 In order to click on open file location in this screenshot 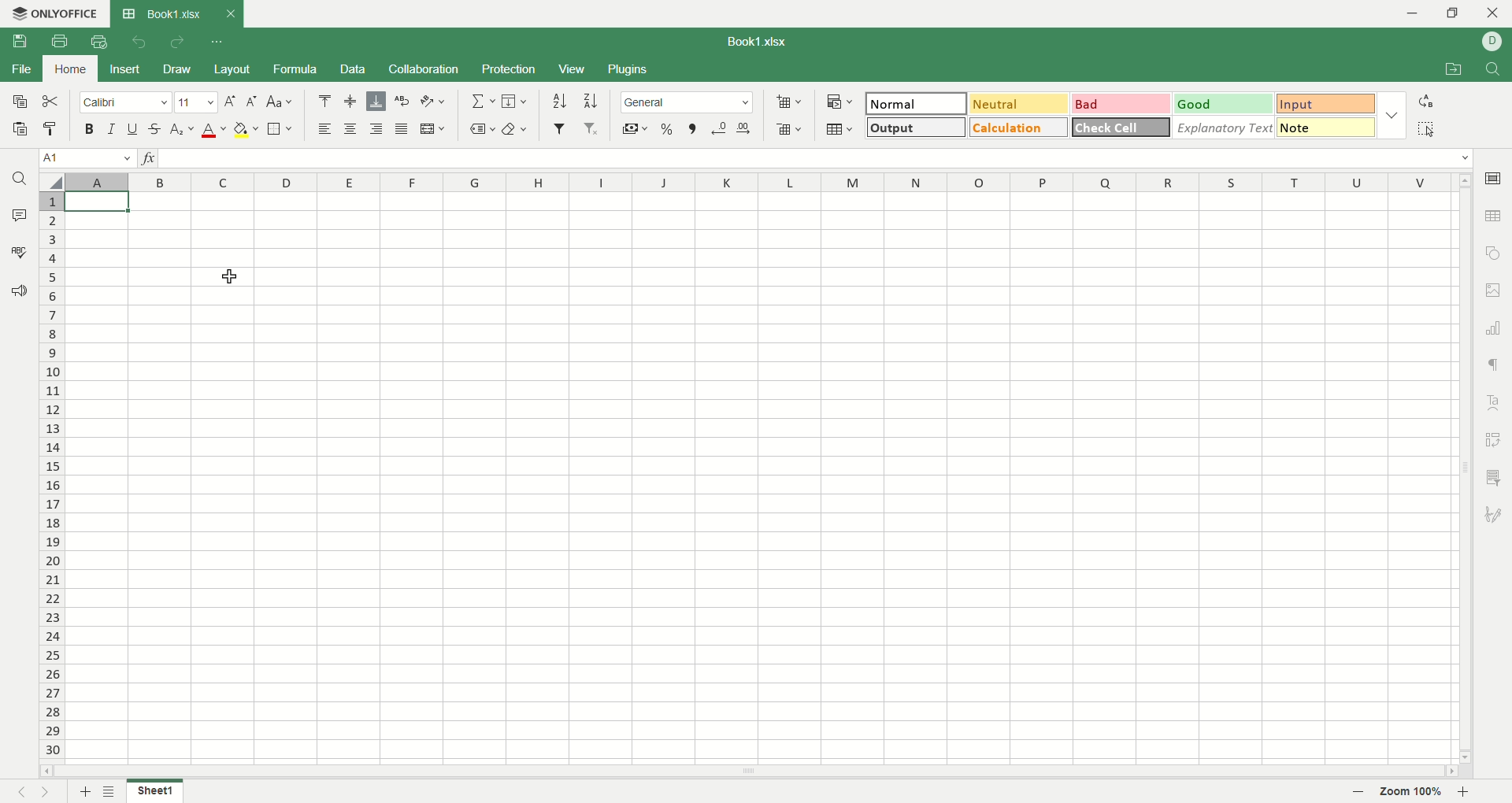, I will do `click(1450, 71)`.